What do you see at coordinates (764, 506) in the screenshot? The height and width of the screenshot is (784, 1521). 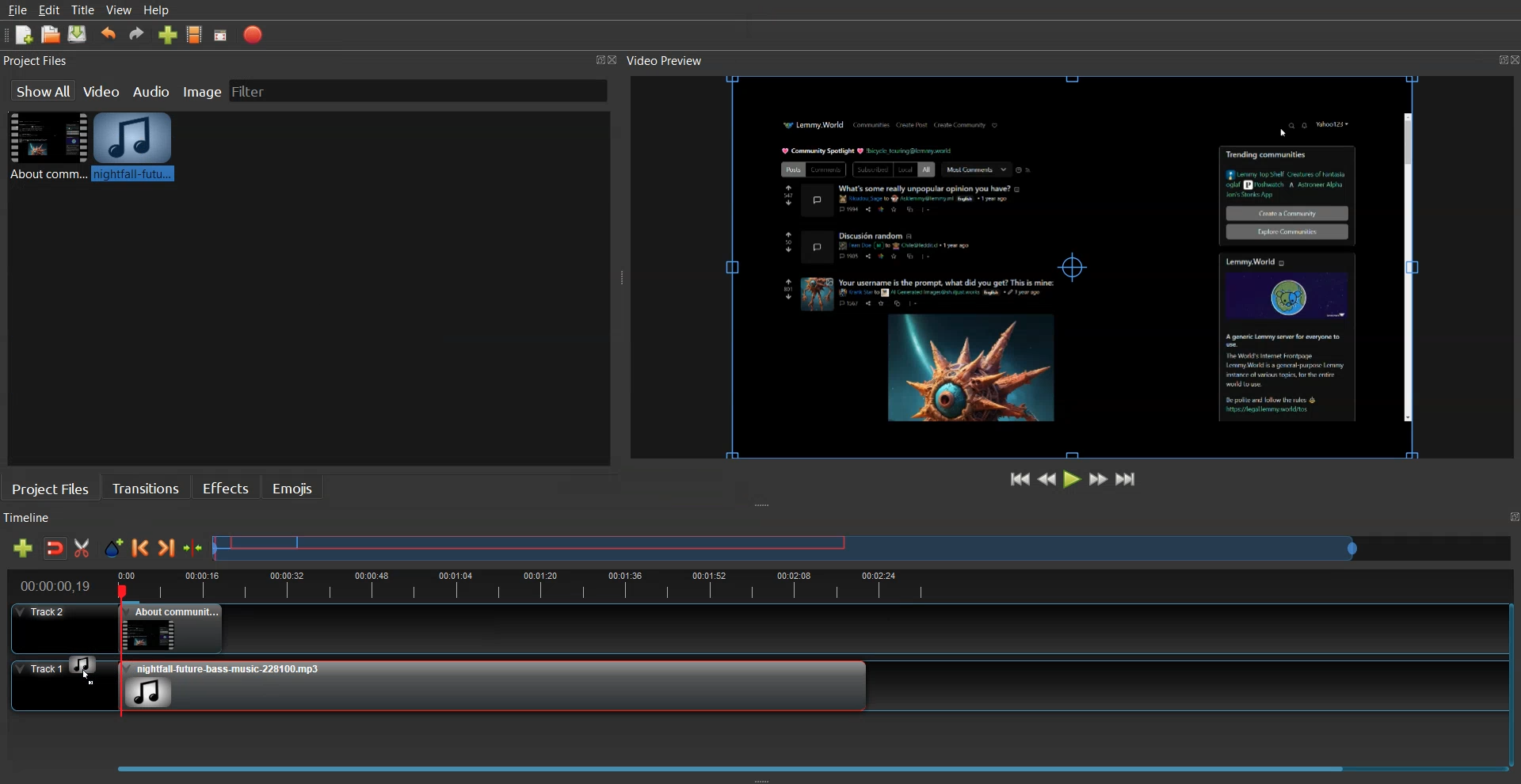 I see `Window Adjuster` at bounding box center [764, 506].